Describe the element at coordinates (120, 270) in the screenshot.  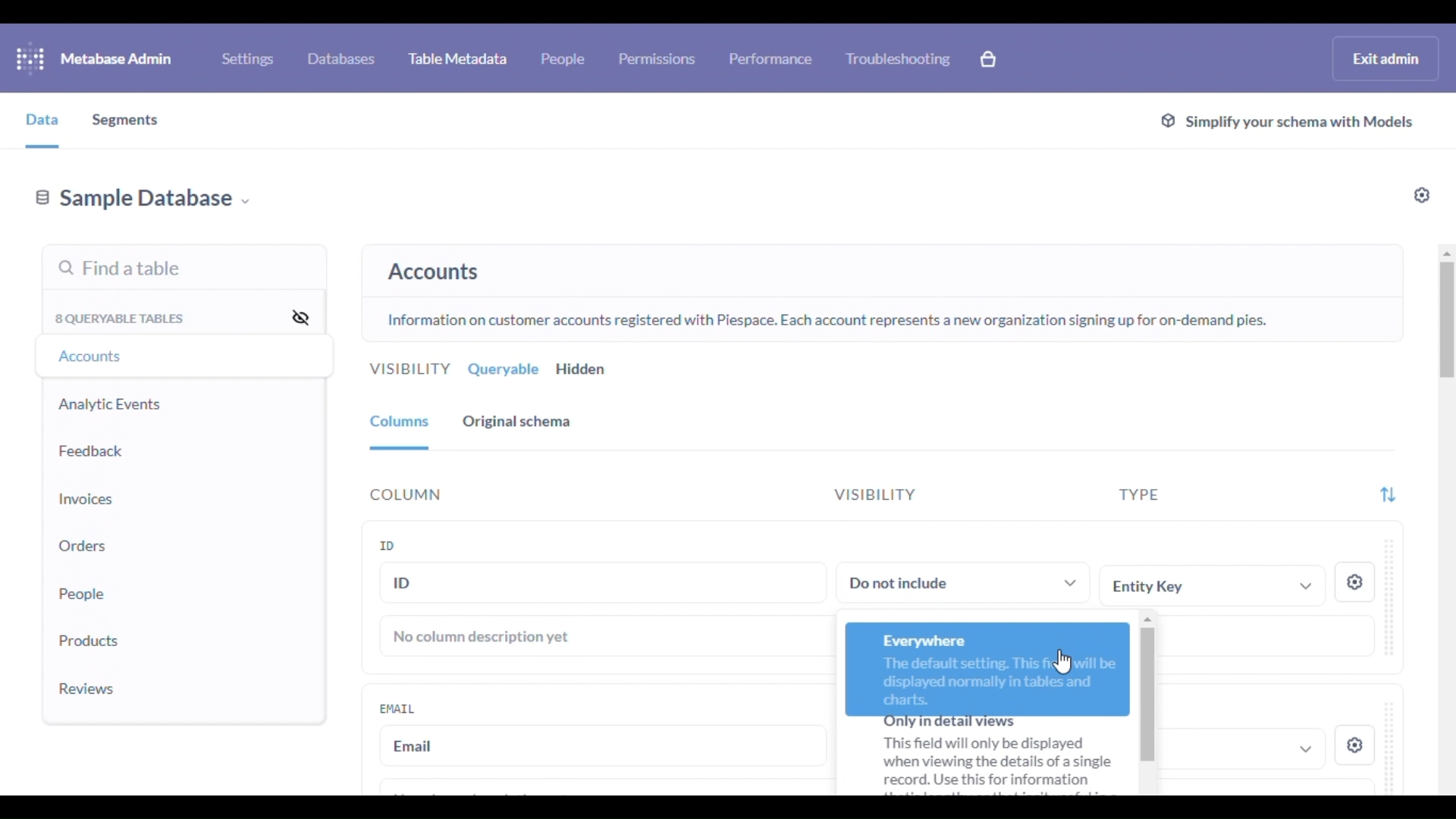
I see `find a table` at that location.